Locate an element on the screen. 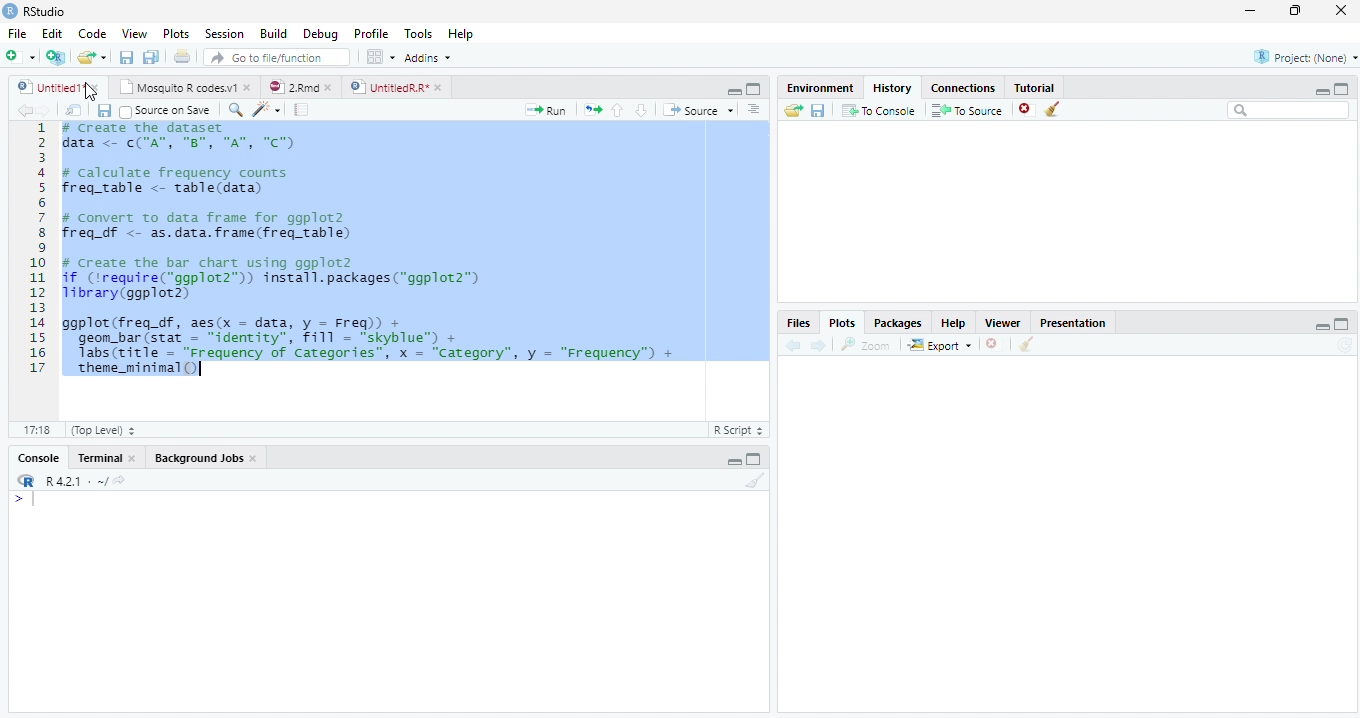  Profile is located at coordinates (371, 34).